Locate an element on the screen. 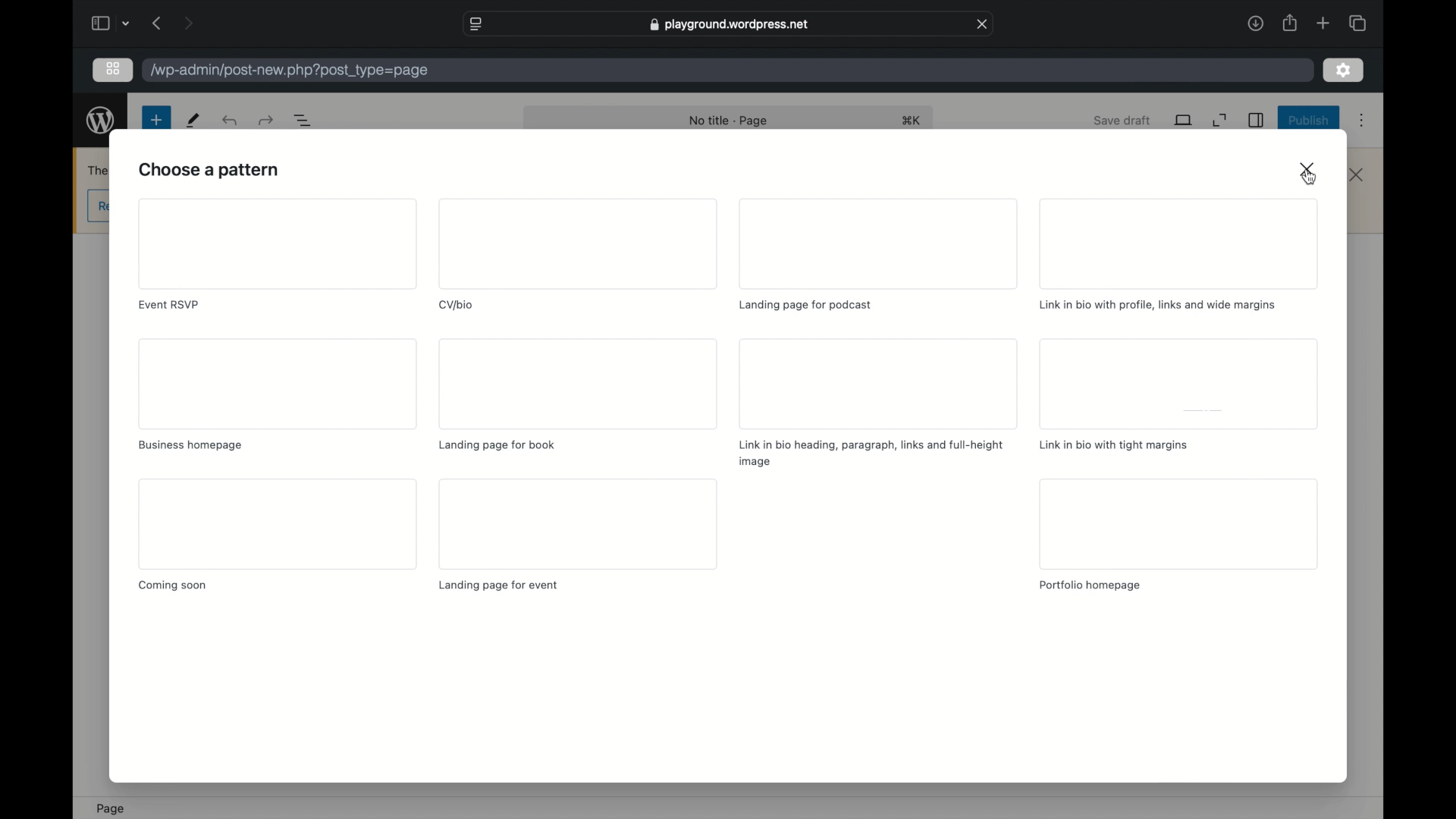 This screenshot has width=1456, height=819. close is located at coordinates (1309, 168).